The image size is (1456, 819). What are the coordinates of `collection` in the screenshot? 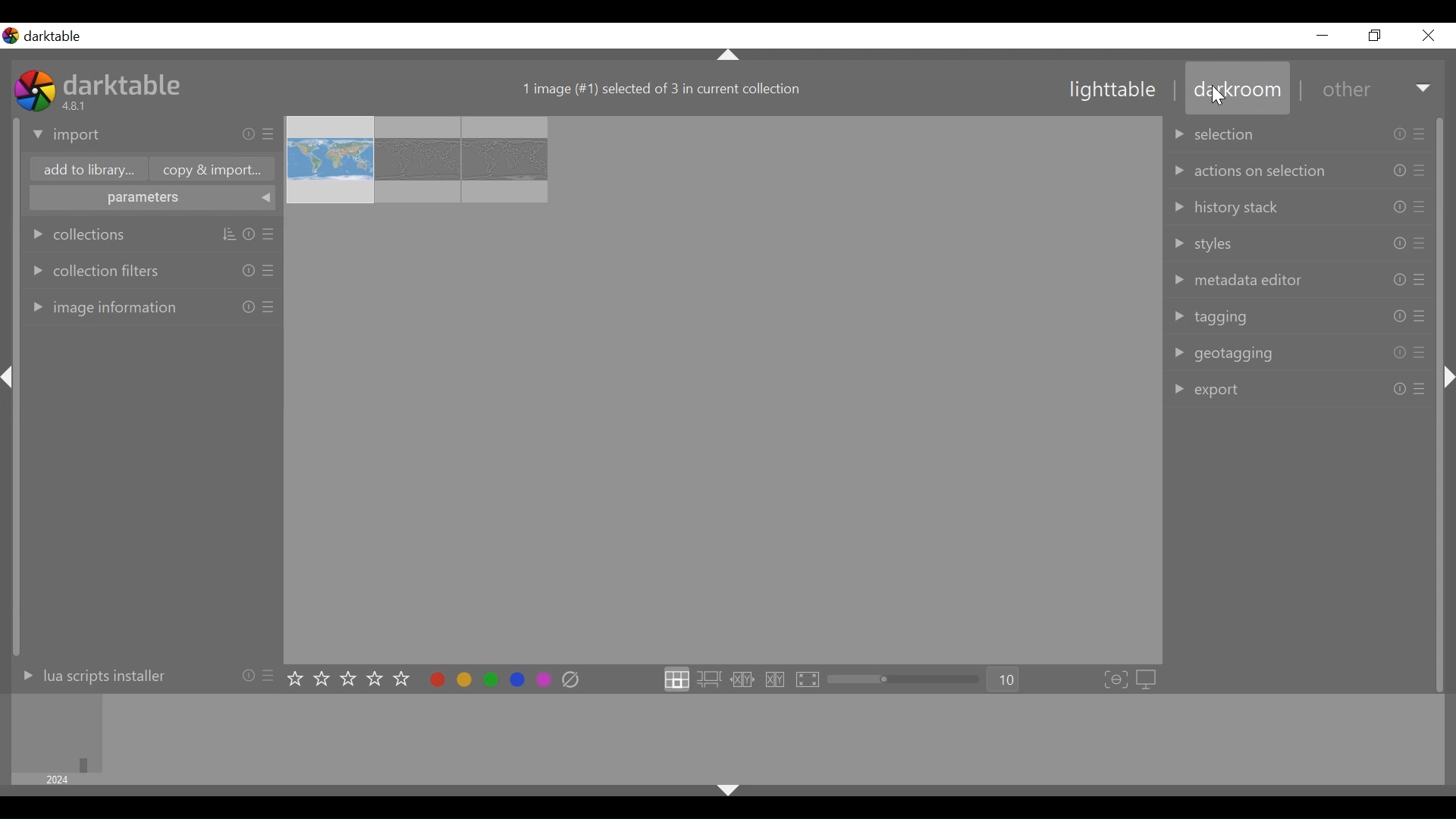 It's located at (149, 231).